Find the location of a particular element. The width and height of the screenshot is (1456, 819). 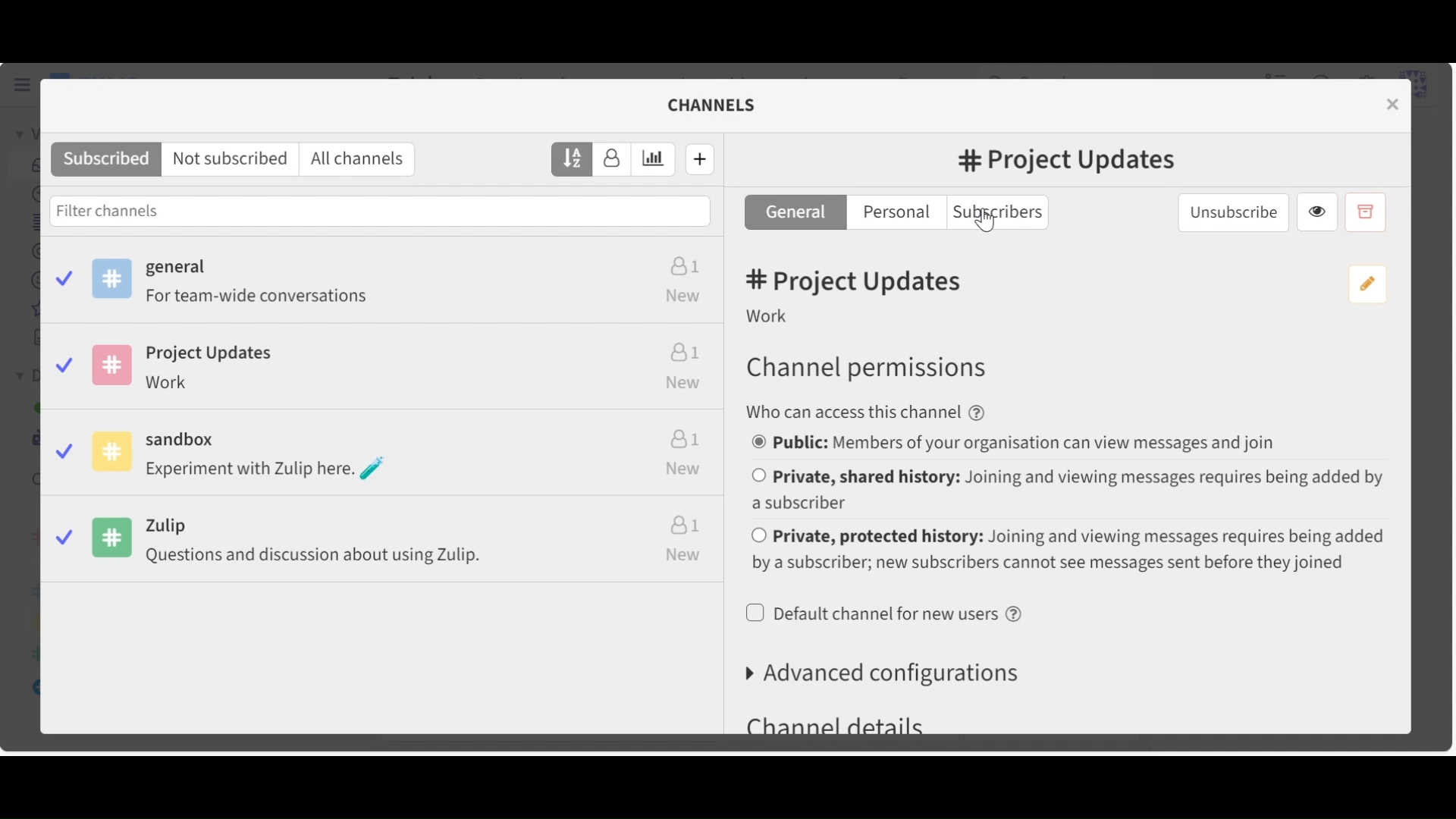

channel name is located at coordinates (1073, 162).